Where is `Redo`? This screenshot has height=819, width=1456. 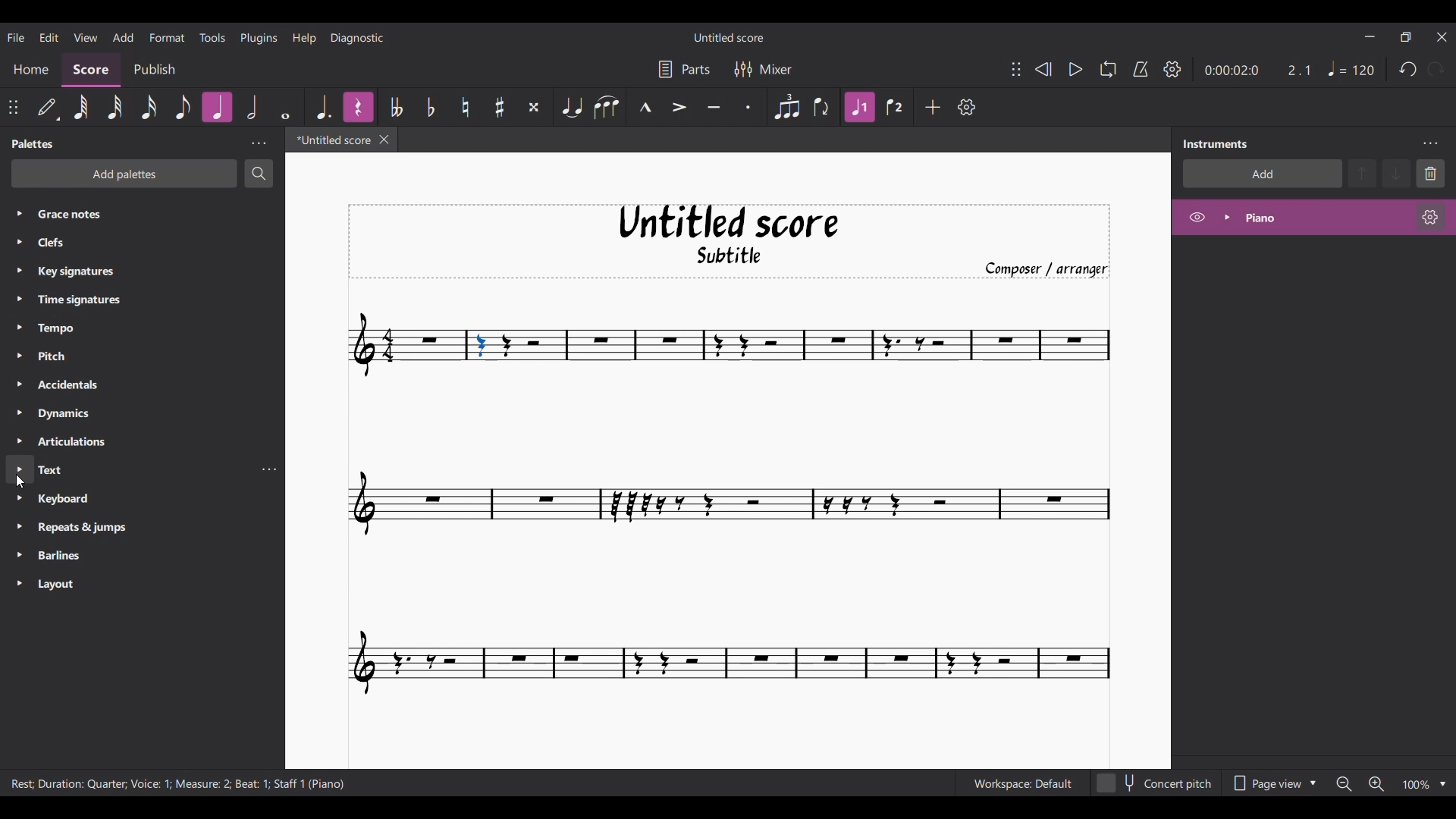
Redo is located at coordinates (1437, 69).